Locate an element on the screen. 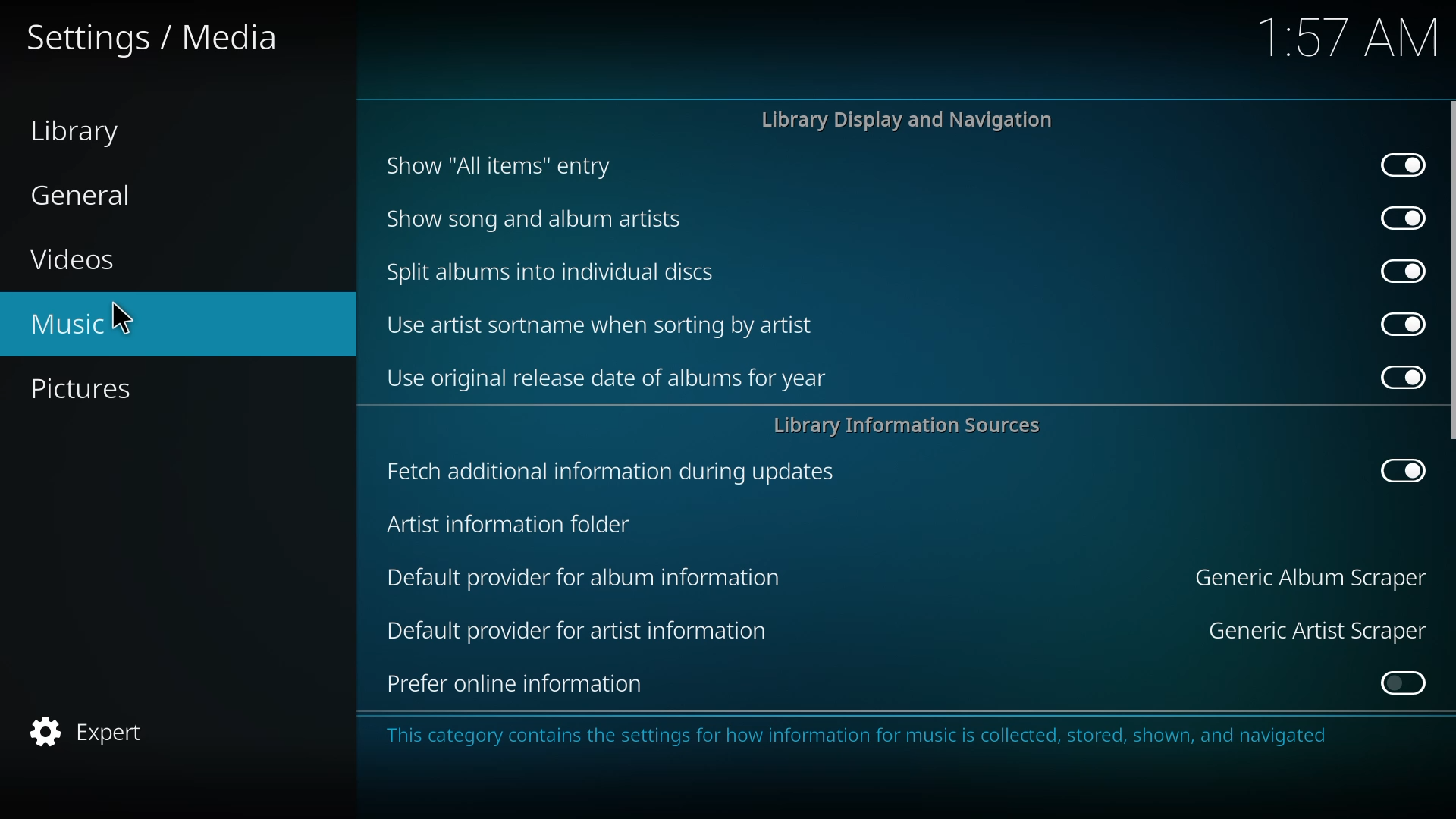 Image resolution: width=1456 pixels, height=819 pixels. show song and album artists is located at coordinates (535, 218).